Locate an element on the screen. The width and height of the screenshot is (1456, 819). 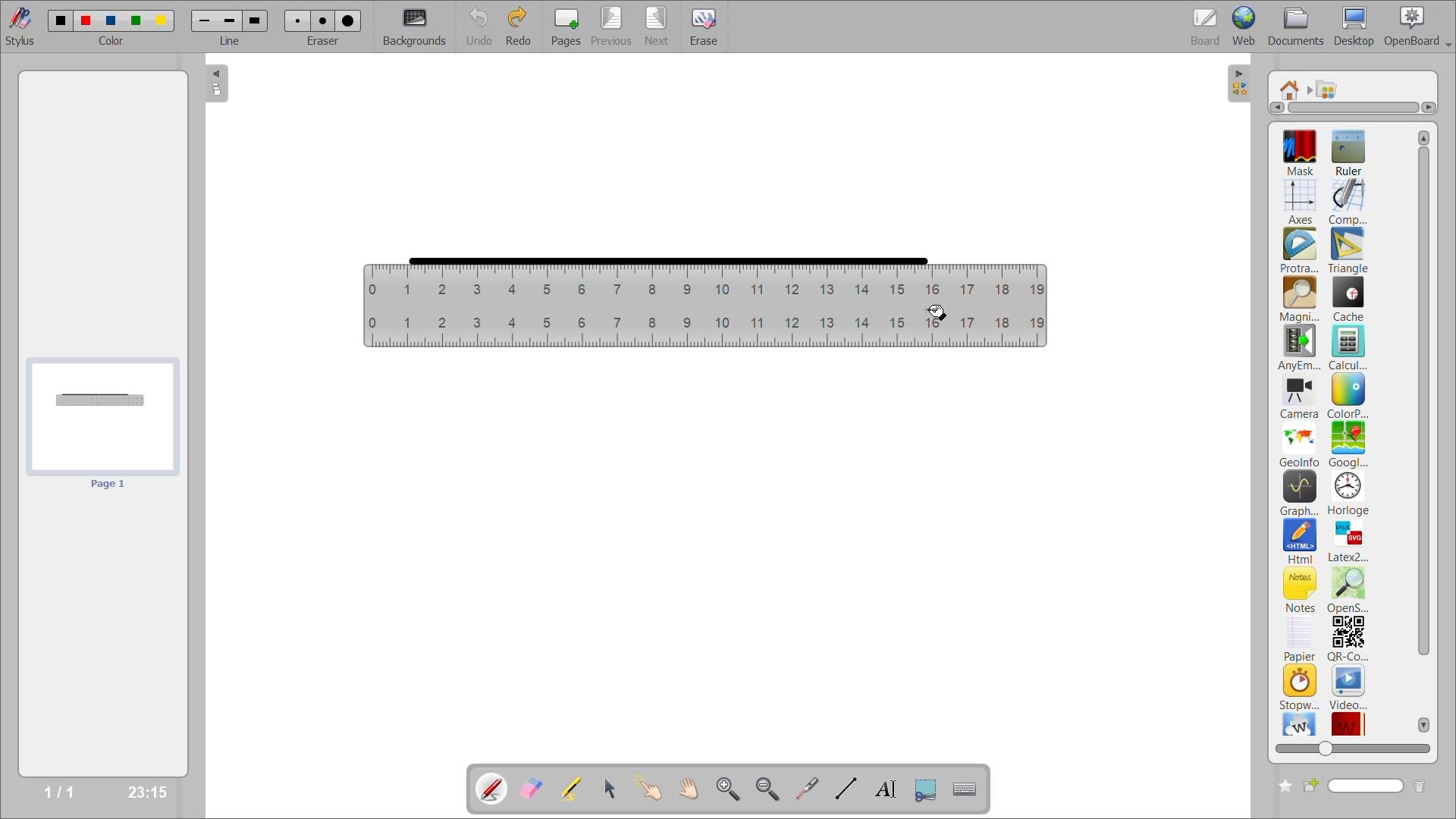
root is located at coordinates (1291, 89).